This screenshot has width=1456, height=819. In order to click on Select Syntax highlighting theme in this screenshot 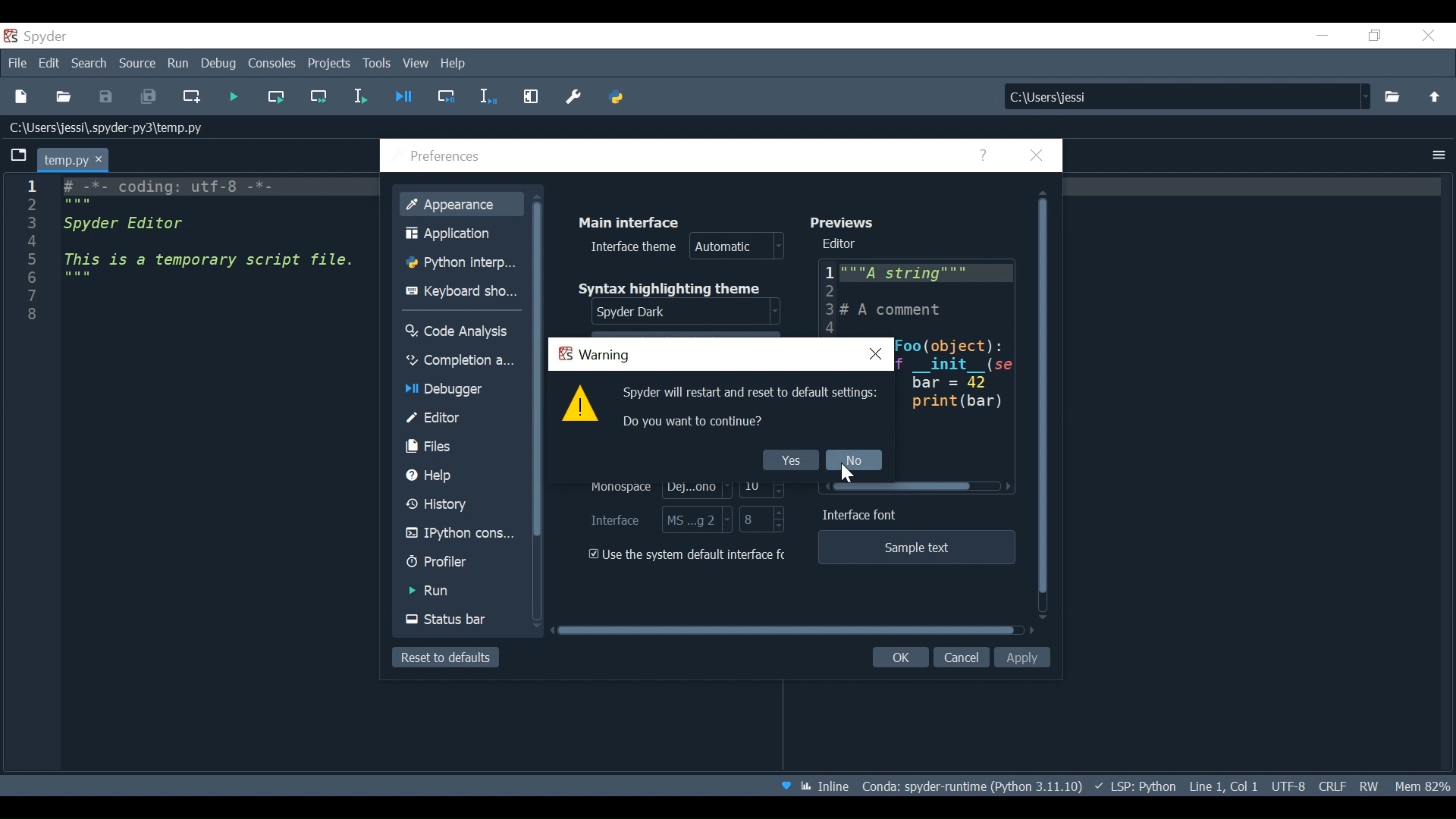, I will do `click(686, 313)`.